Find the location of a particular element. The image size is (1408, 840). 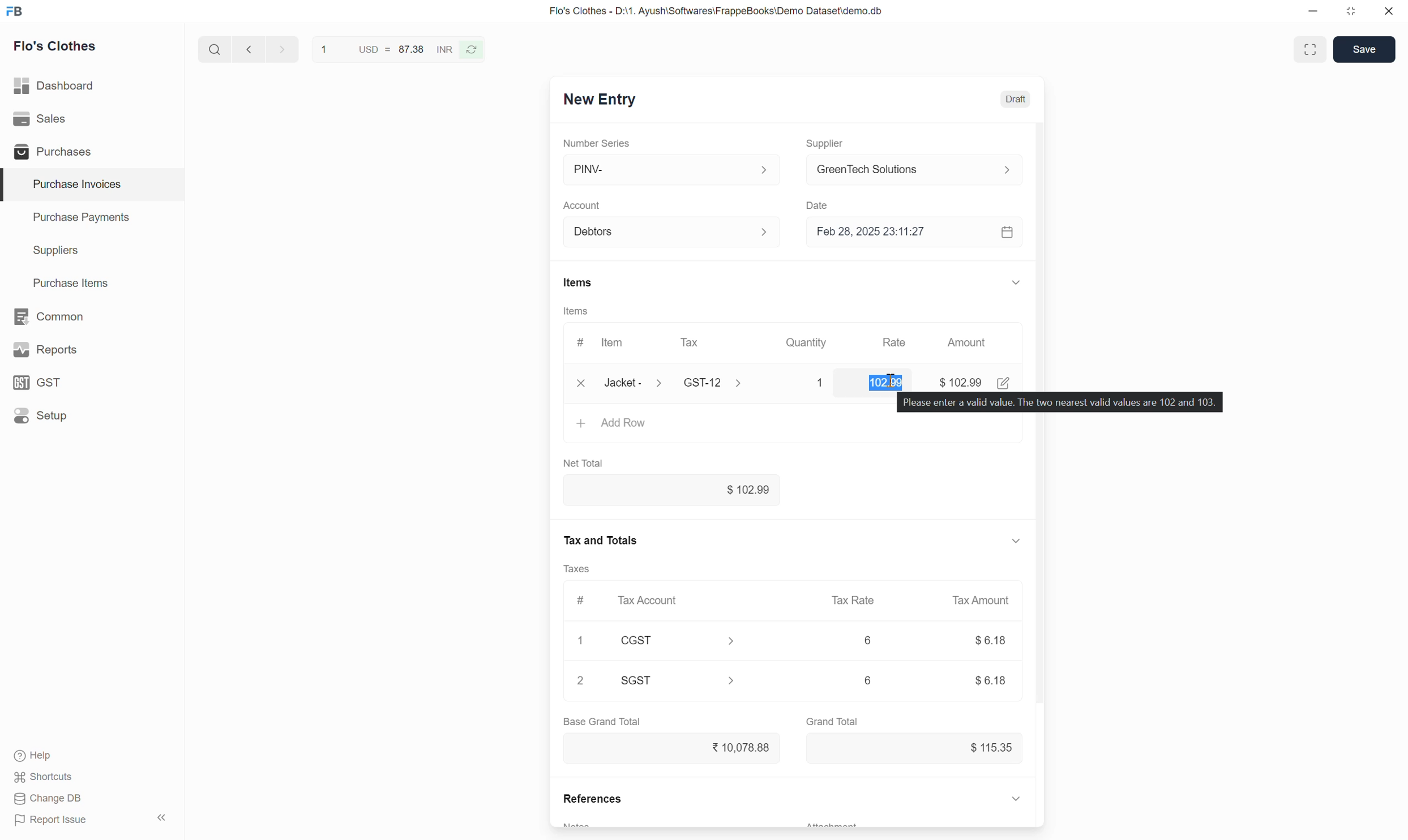

Collapse is located at coordinates (162, 817).